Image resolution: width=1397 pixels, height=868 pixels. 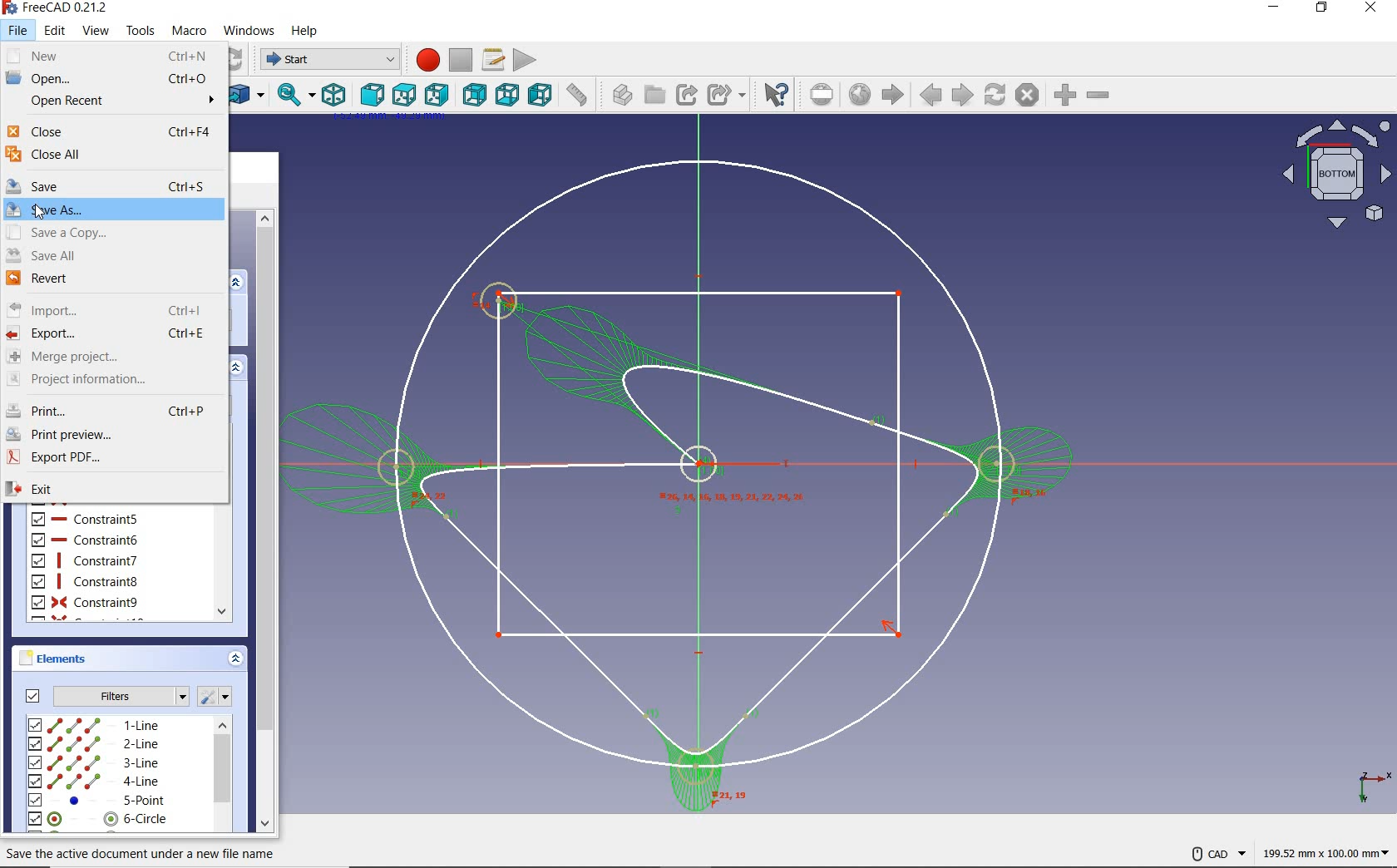 What do you see at coordinates (192, 32) in the screenshot?
I see `macro` at bounding box center [192, 32].